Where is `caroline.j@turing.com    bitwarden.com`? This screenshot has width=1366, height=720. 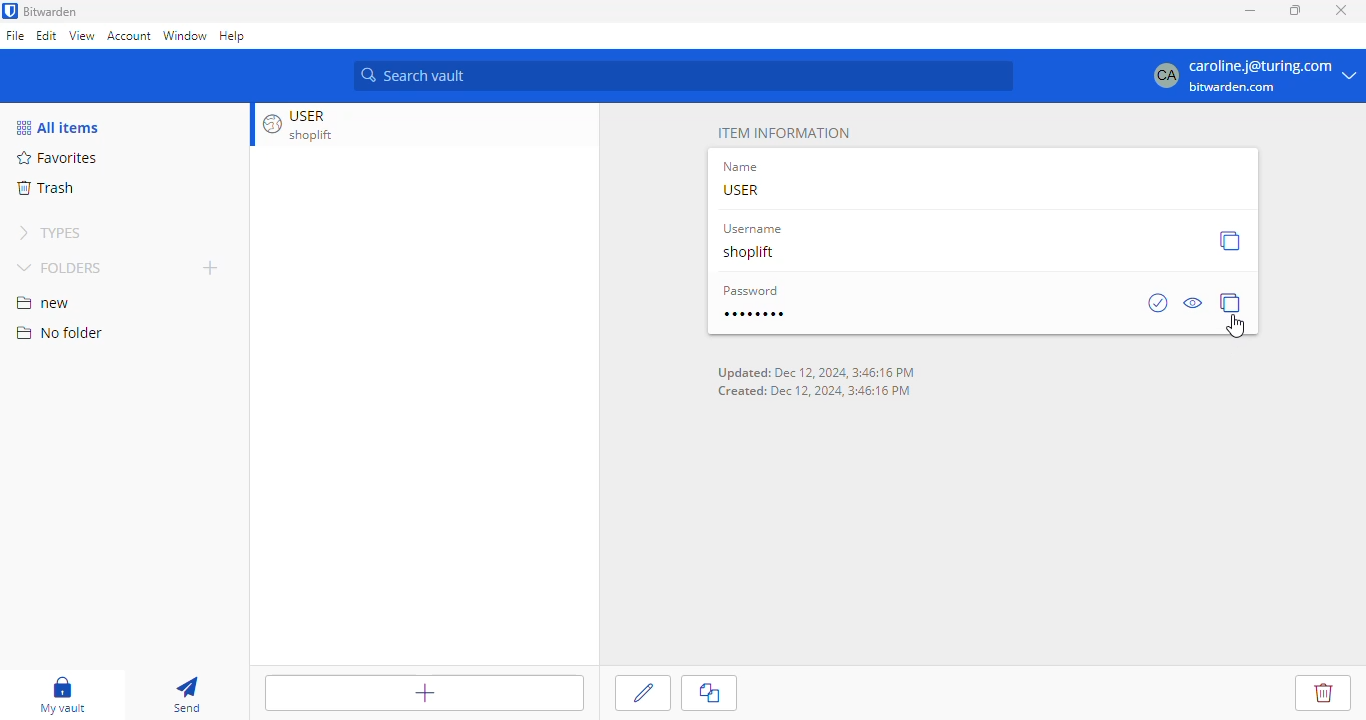 caroline.j@turing.com    bitwarden.com is located at coordinates (1253, 74).